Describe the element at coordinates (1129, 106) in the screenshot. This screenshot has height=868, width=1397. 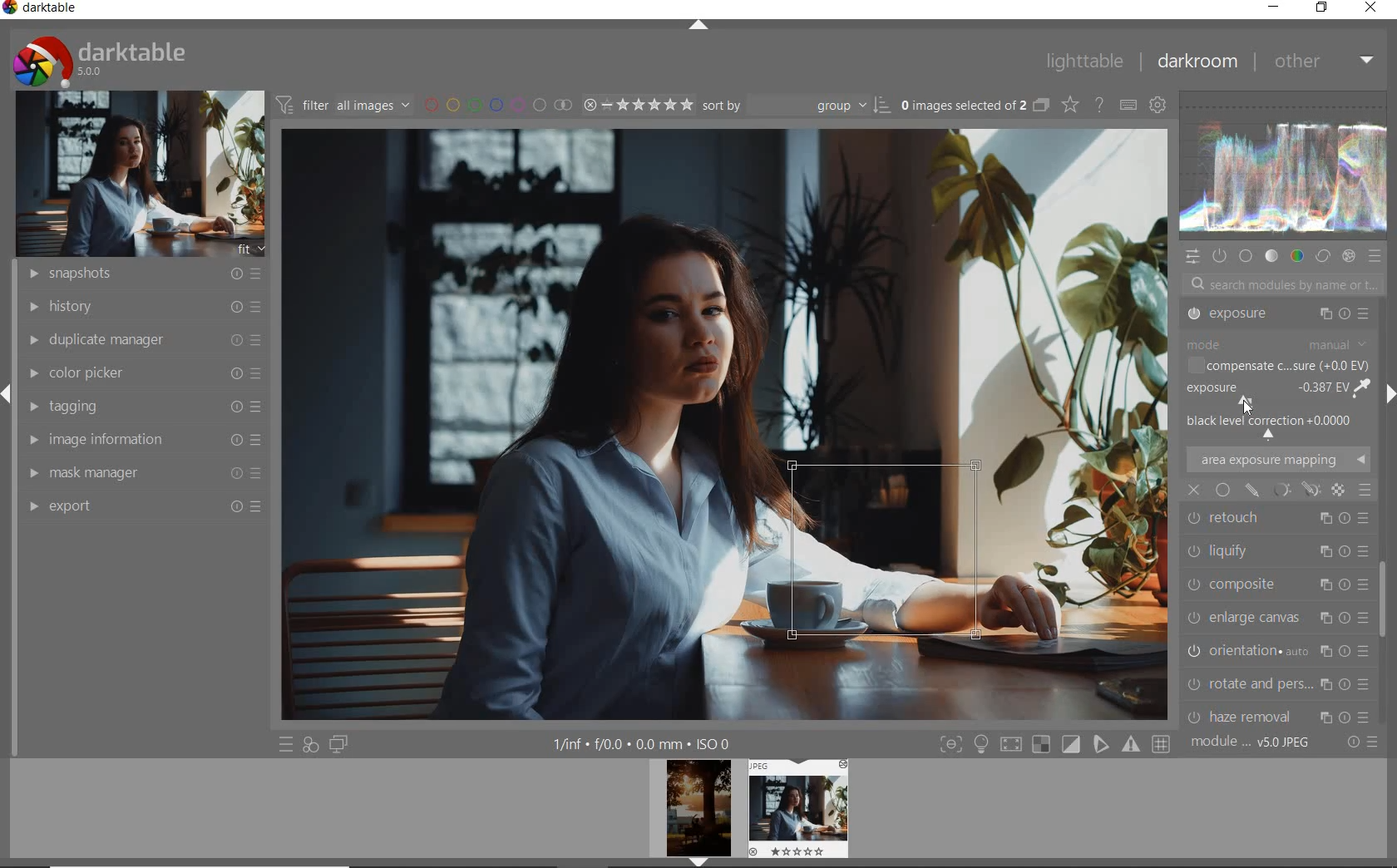
I see `DEFINE KEYBOARD SHORTCUT` at that location.